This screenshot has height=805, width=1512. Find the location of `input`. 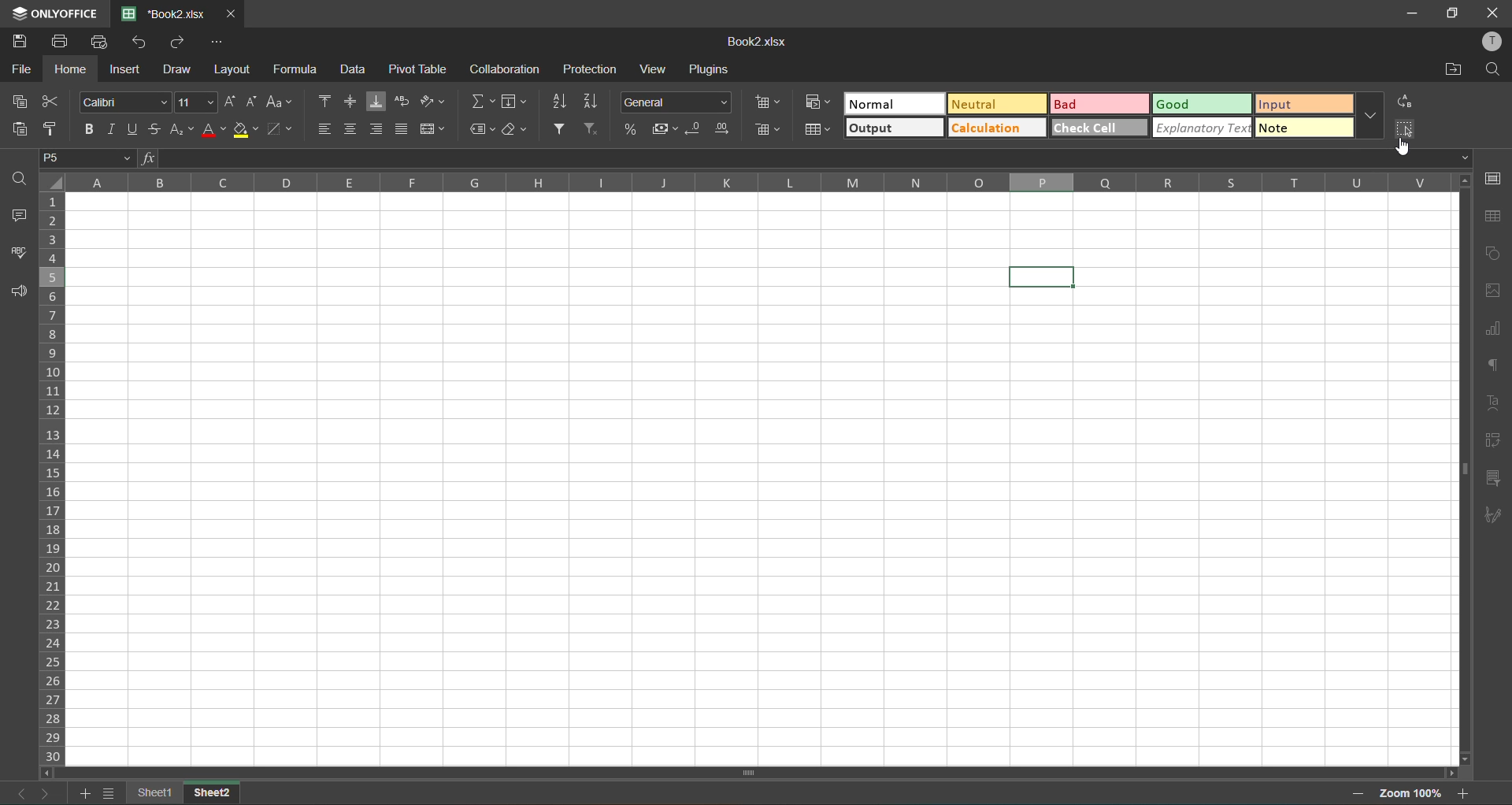

input is located at coordinates (1300, 104).